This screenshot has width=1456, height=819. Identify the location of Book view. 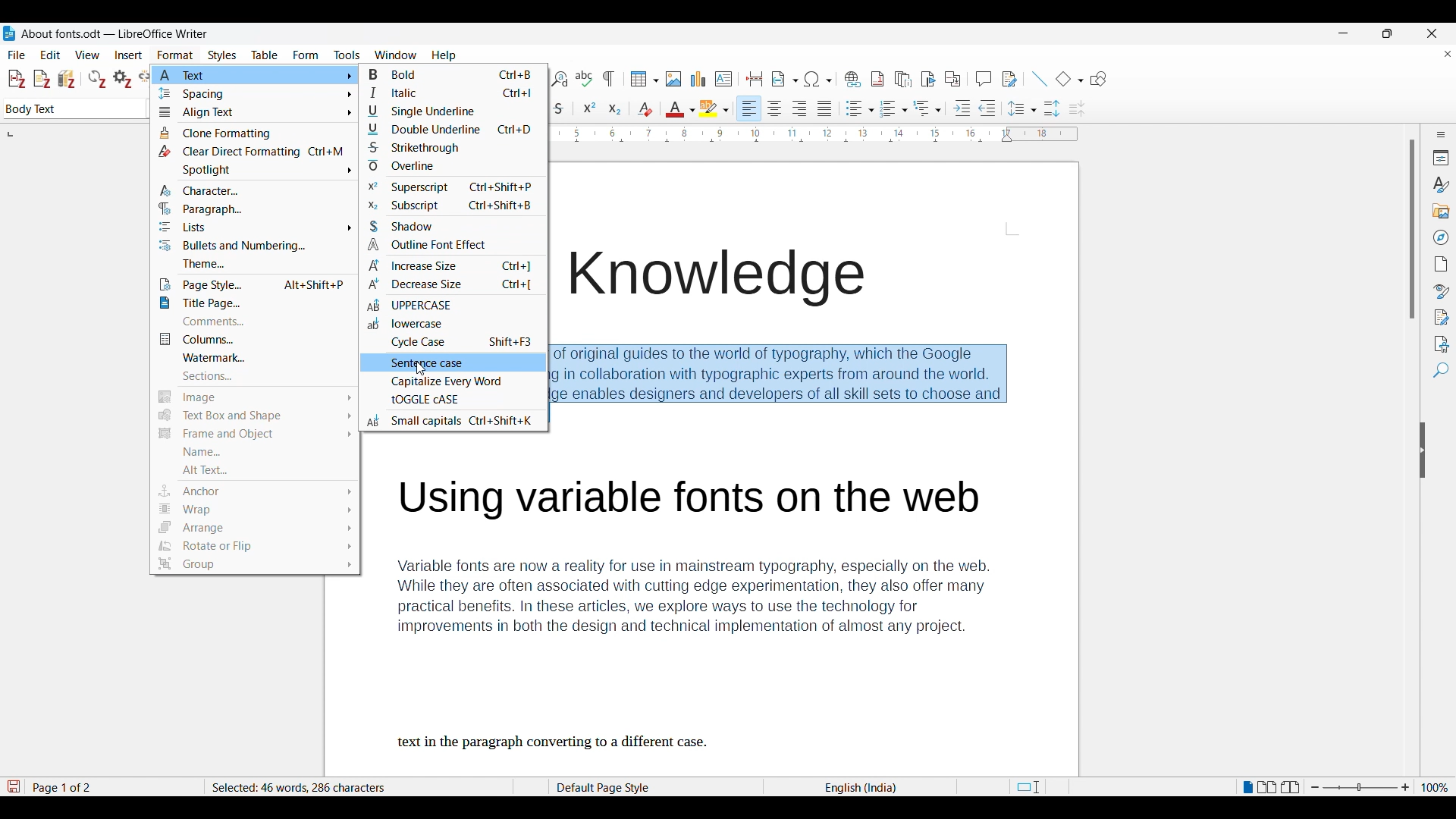
(1290, 786).